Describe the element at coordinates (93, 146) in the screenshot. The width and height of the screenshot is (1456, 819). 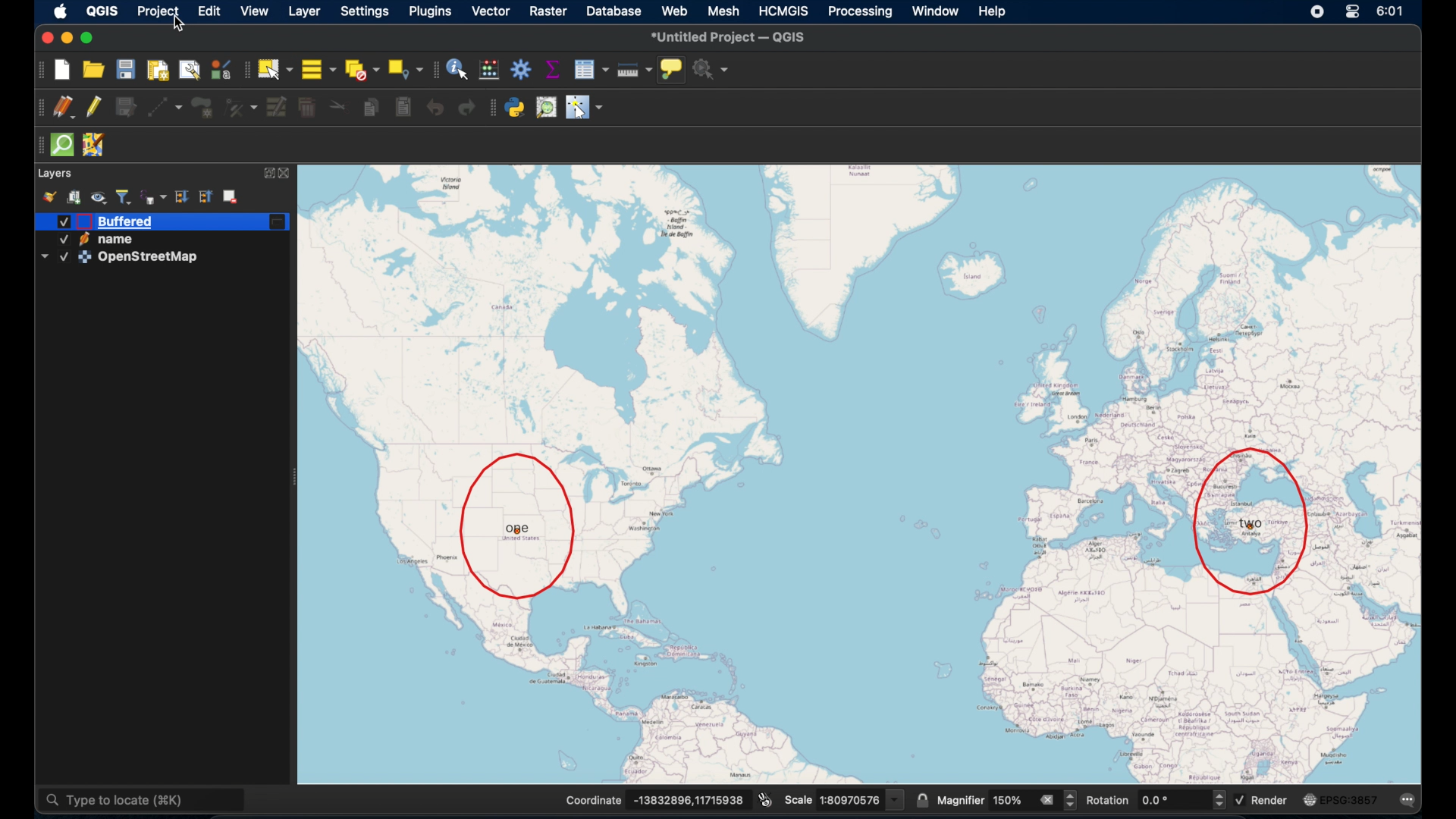
I see `jsom remote` at that location.